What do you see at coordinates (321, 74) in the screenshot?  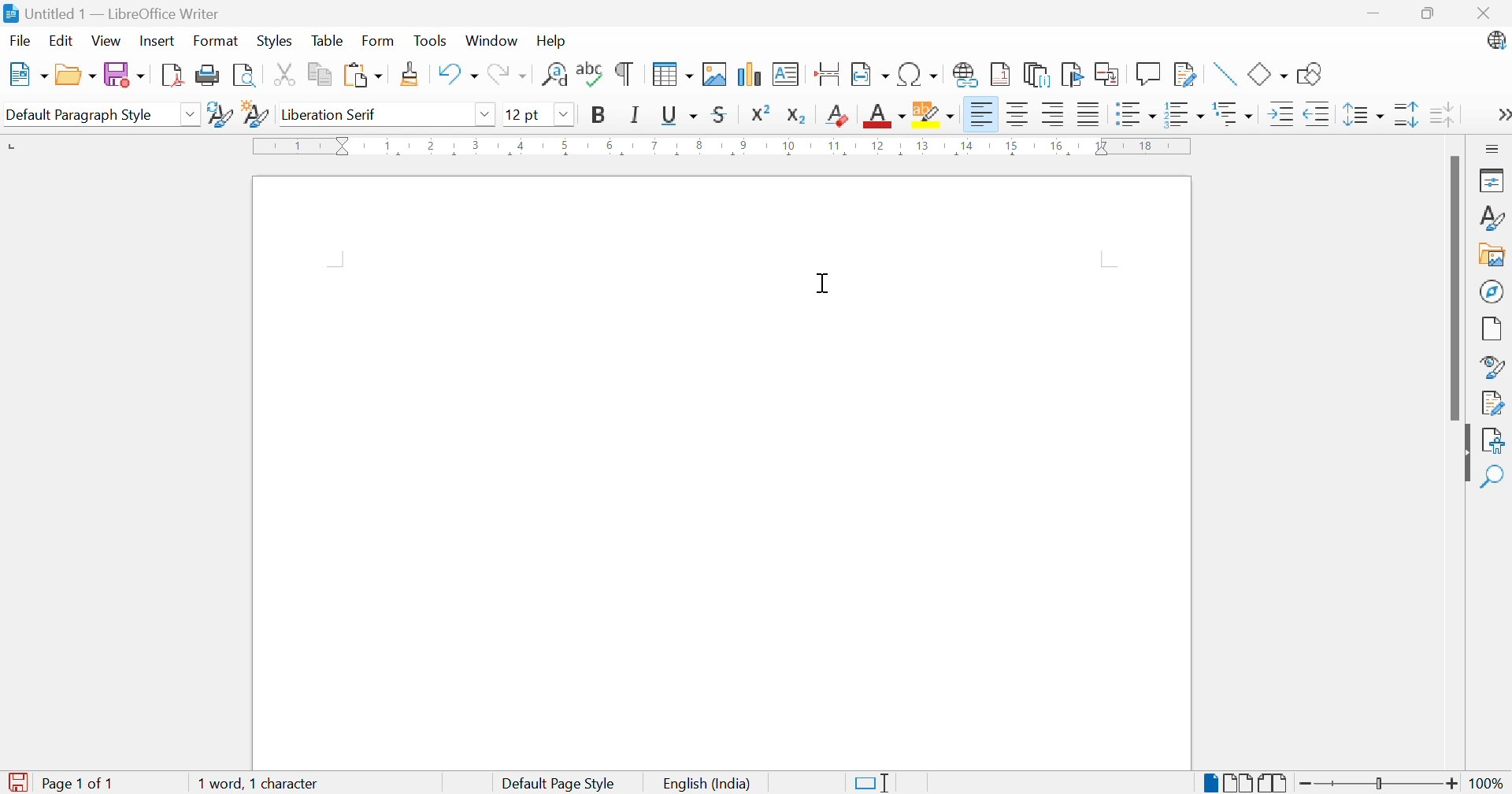 I see `Copy` at bounding box center [321, 74].